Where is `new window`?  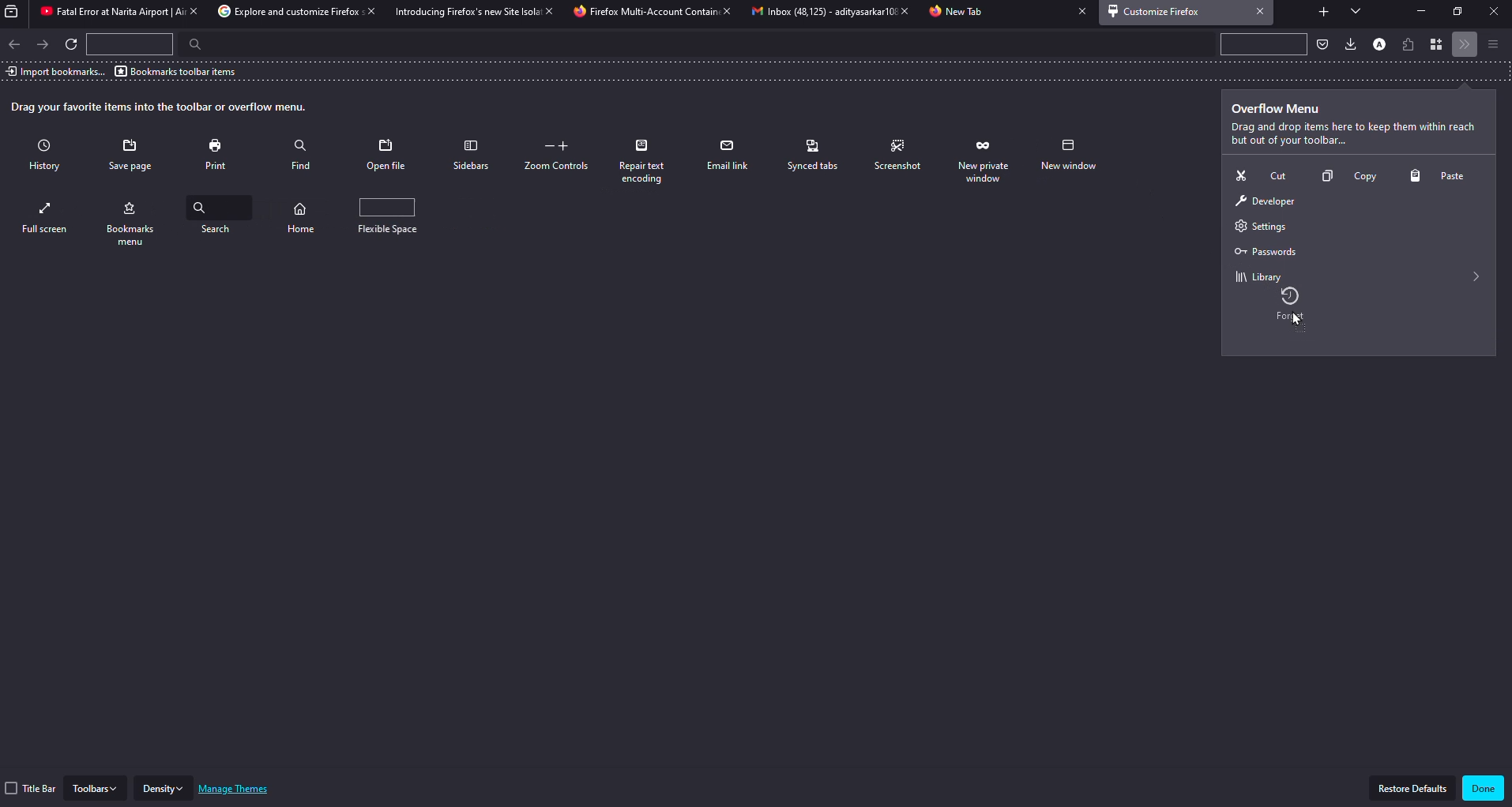 new window is located at coordinates (47, 217).